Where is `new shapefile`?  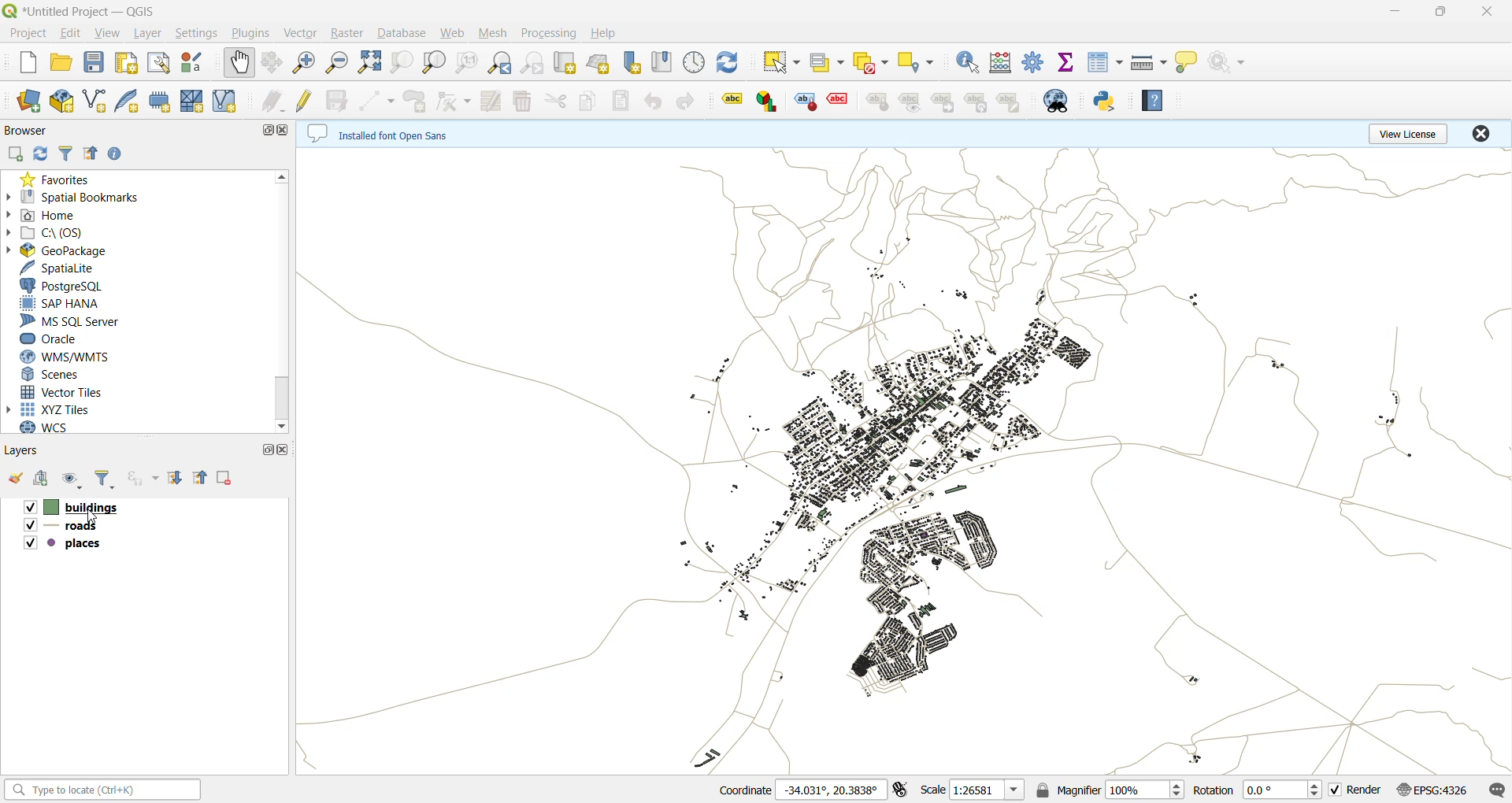
new shapefile is located at coordinates (95, 100).